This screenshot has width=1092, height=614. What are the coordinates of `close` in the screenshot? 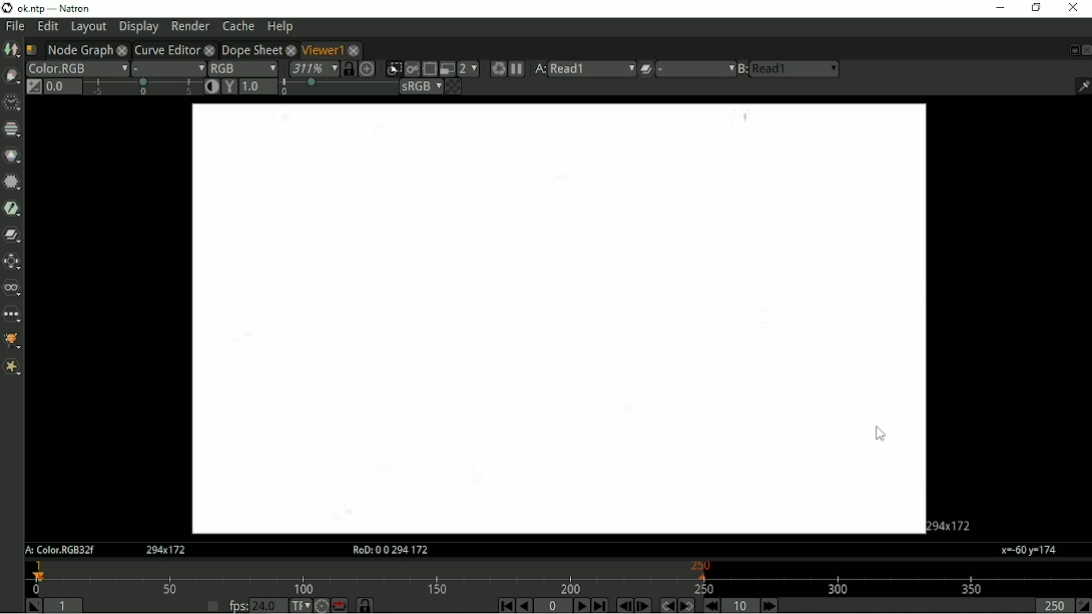 It's located at (124, 49).